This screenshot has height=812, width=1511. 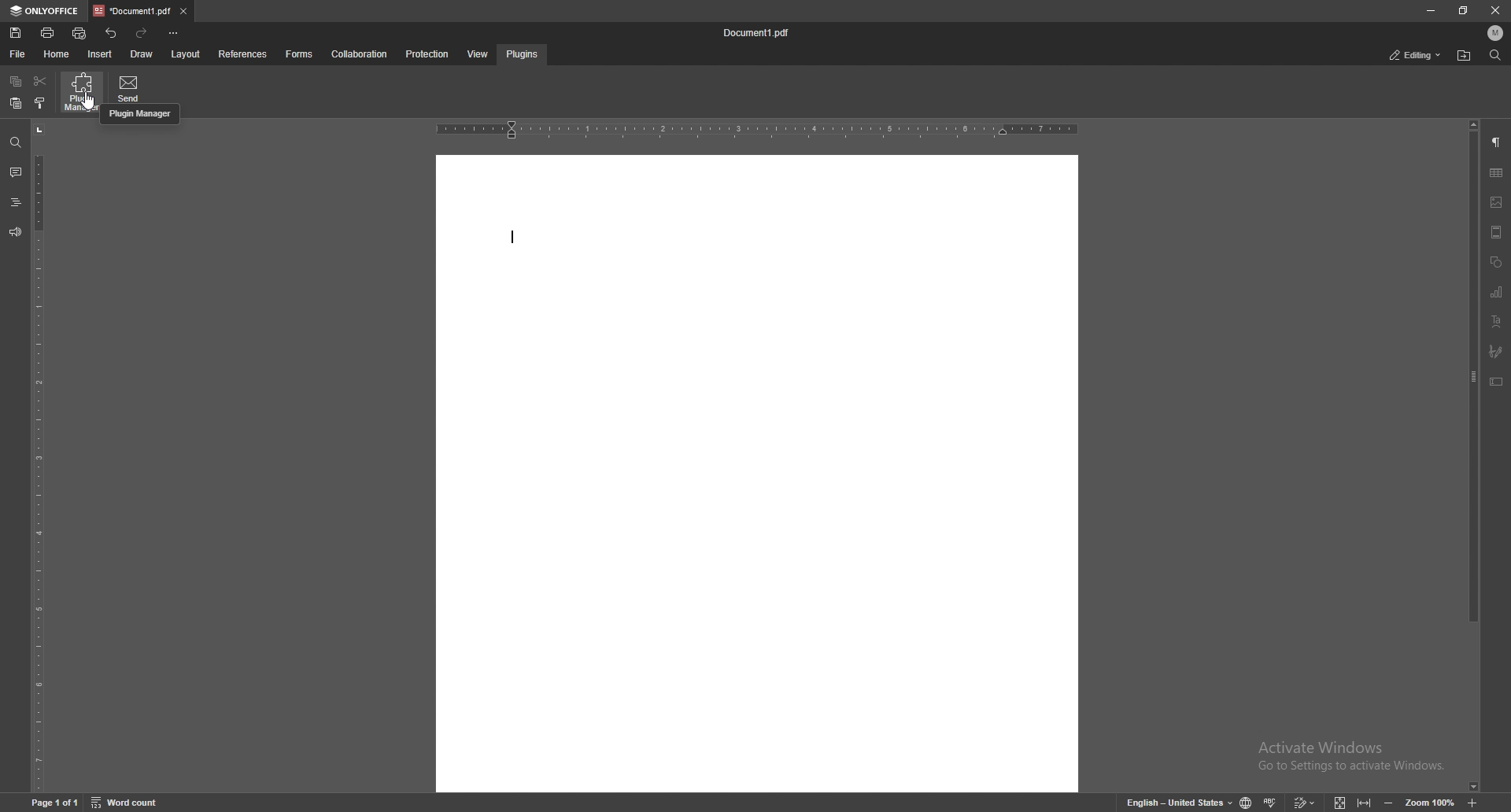 I want to click on find, so click(x=1494, y=57).